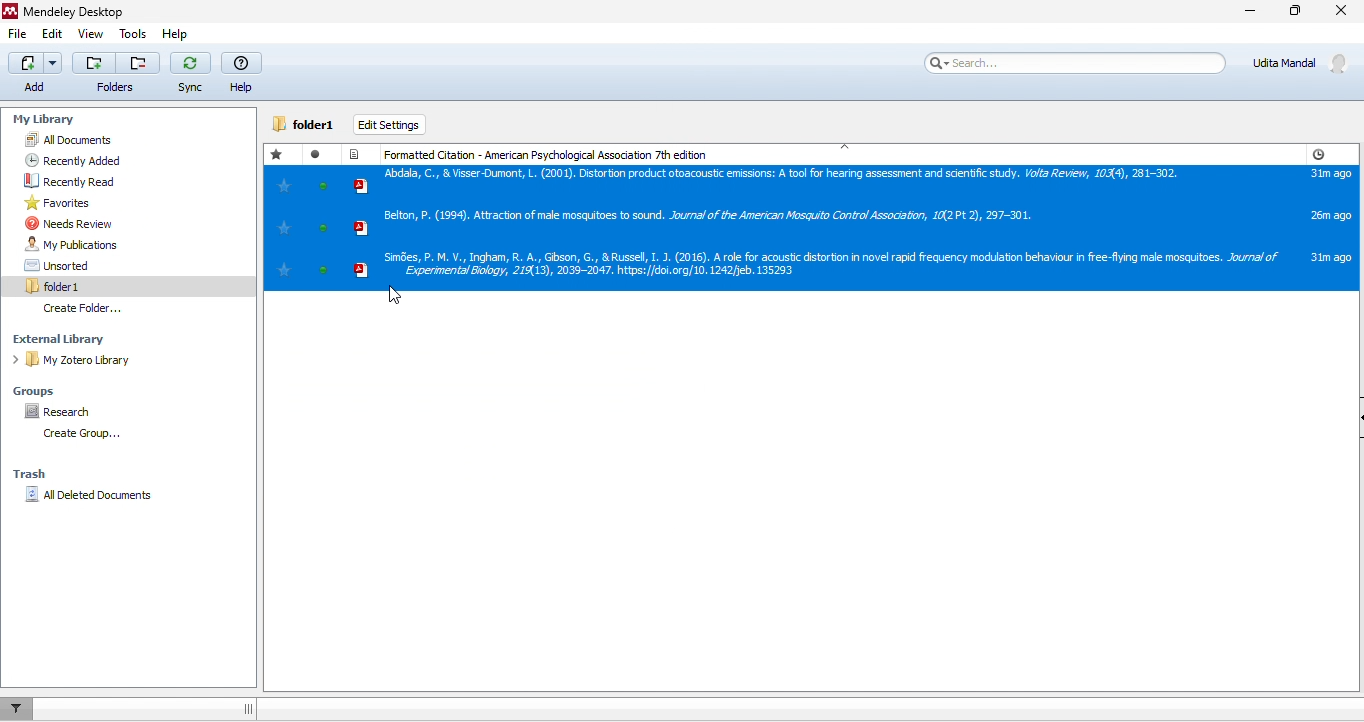 This screenshot has width=1364, height=722. I want to click on create folder, so click(98, 308).